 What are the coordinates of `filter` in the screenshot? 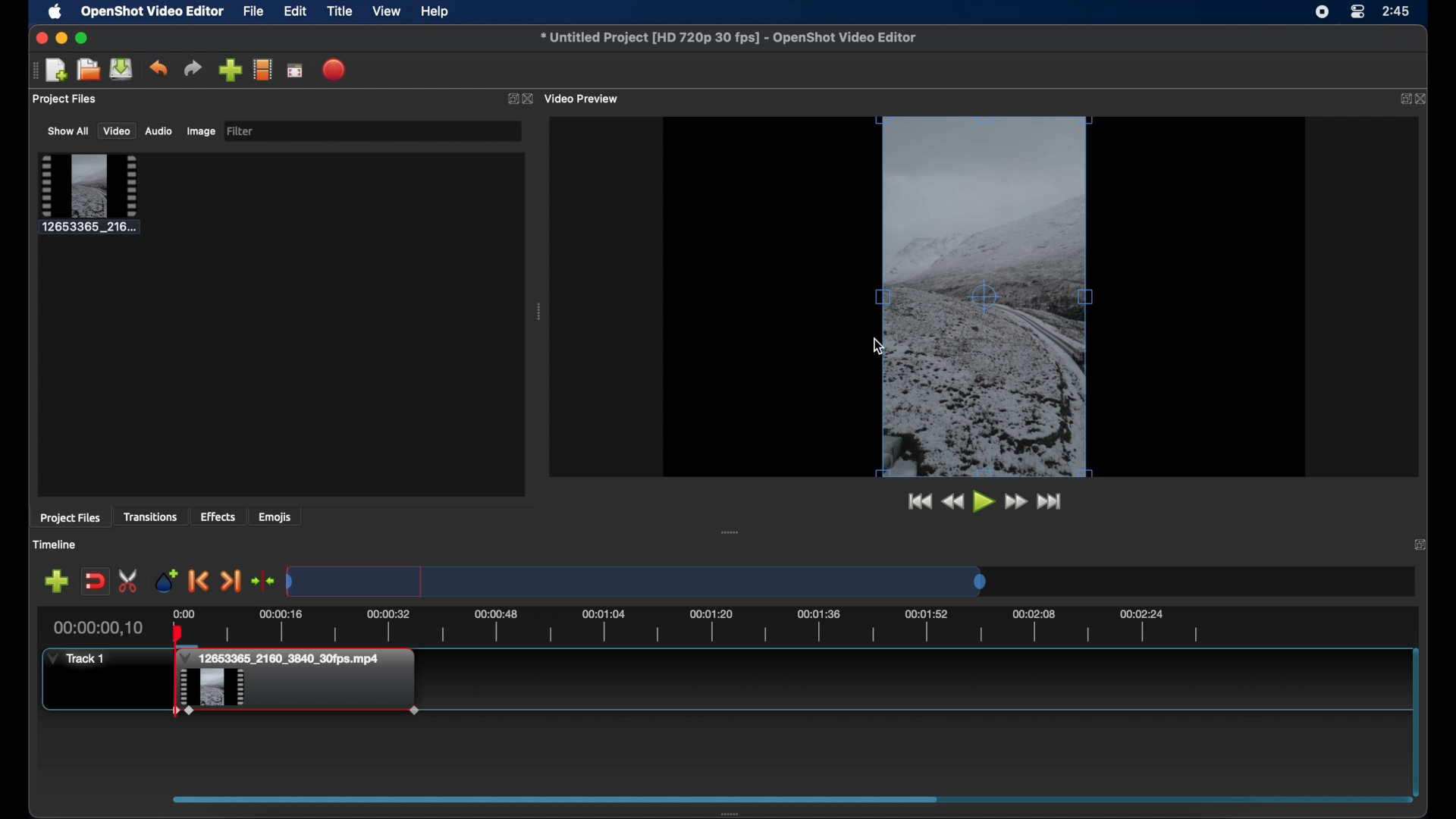 It's located at (240, 131).